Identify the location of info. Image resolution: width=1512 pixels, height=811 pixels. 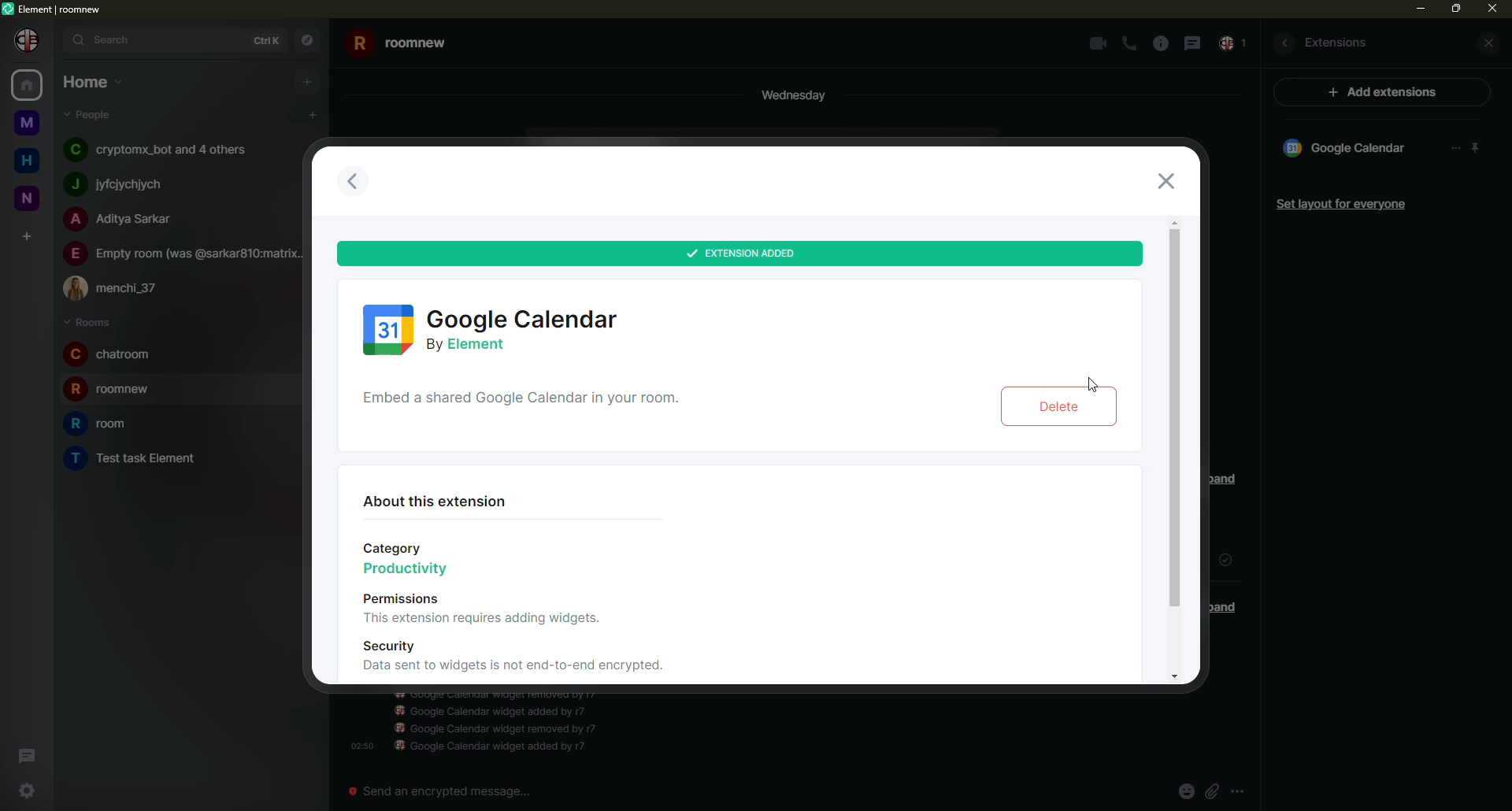
(1162, 44).